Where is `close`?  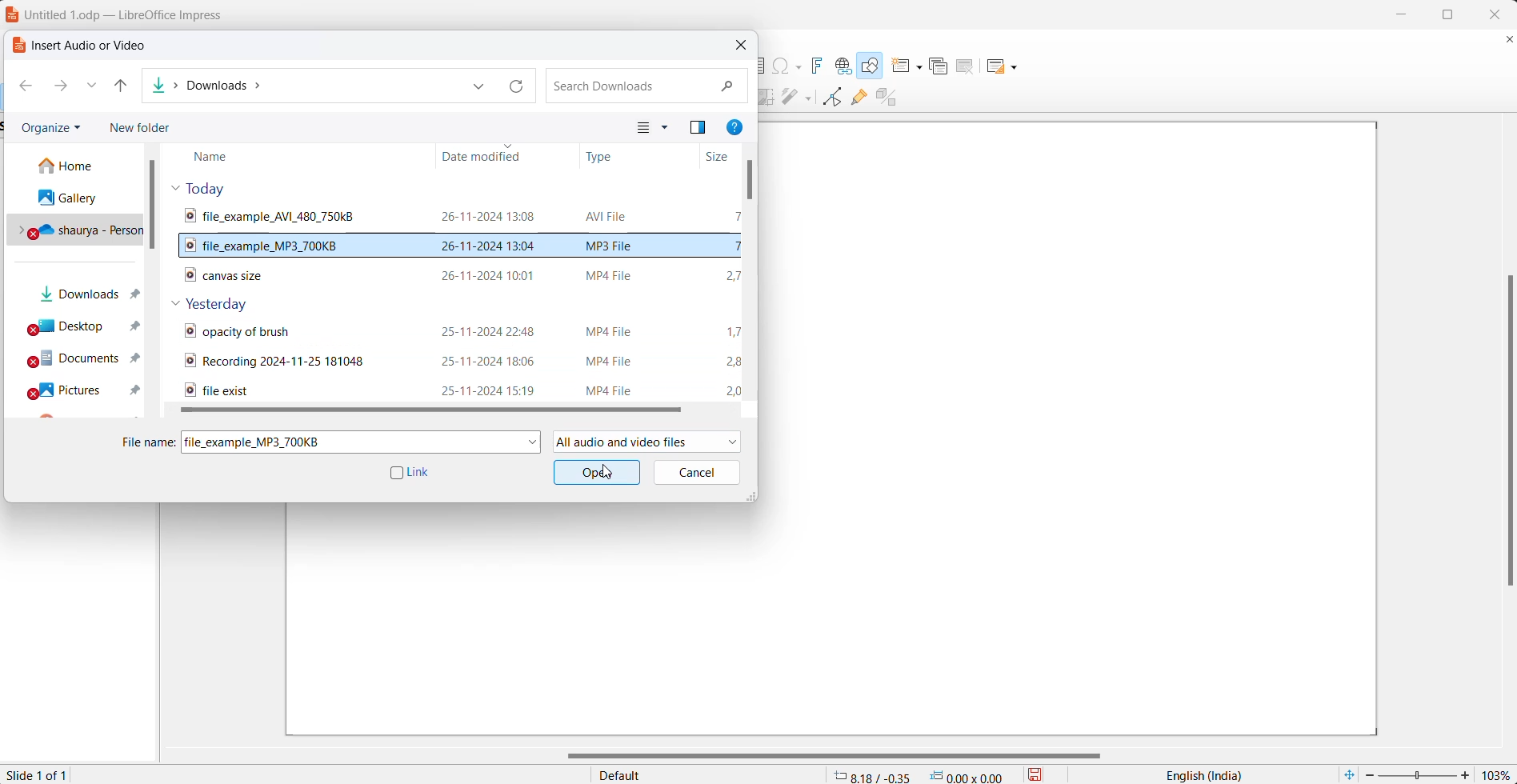
close is located at coordinates (744, 43).